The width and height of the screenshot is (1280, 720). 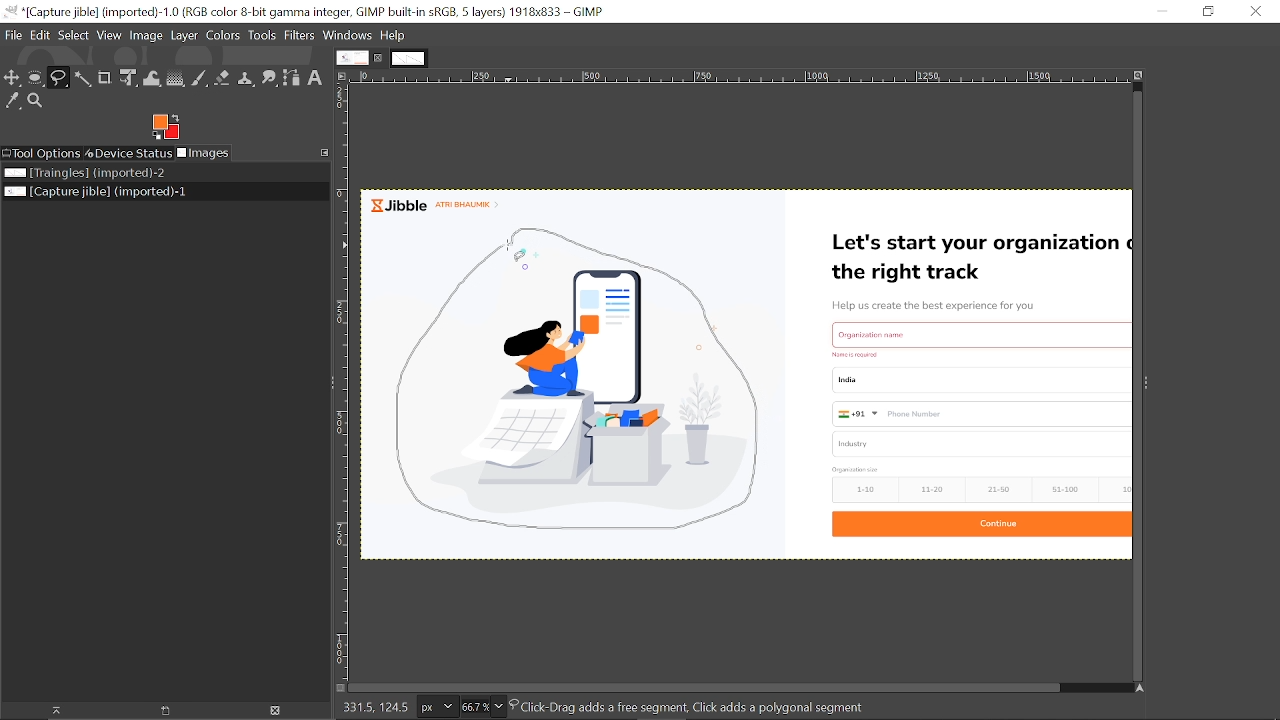 What do you see at coordinates (505, 242) in the screenshot?
I see `cursor` at bounding box center [505, 242].